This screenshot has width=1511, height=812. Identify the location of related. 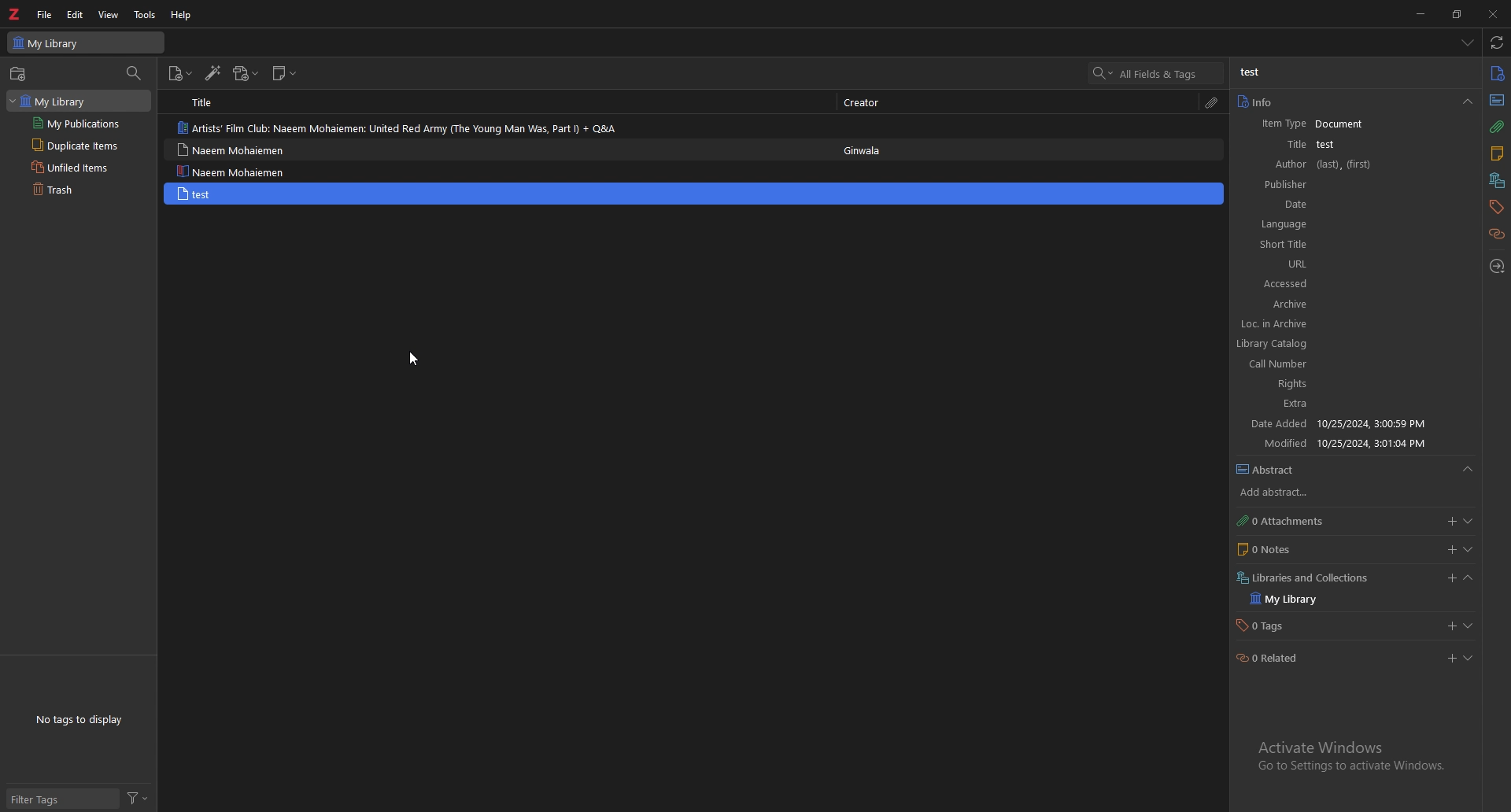
(1498, 233).